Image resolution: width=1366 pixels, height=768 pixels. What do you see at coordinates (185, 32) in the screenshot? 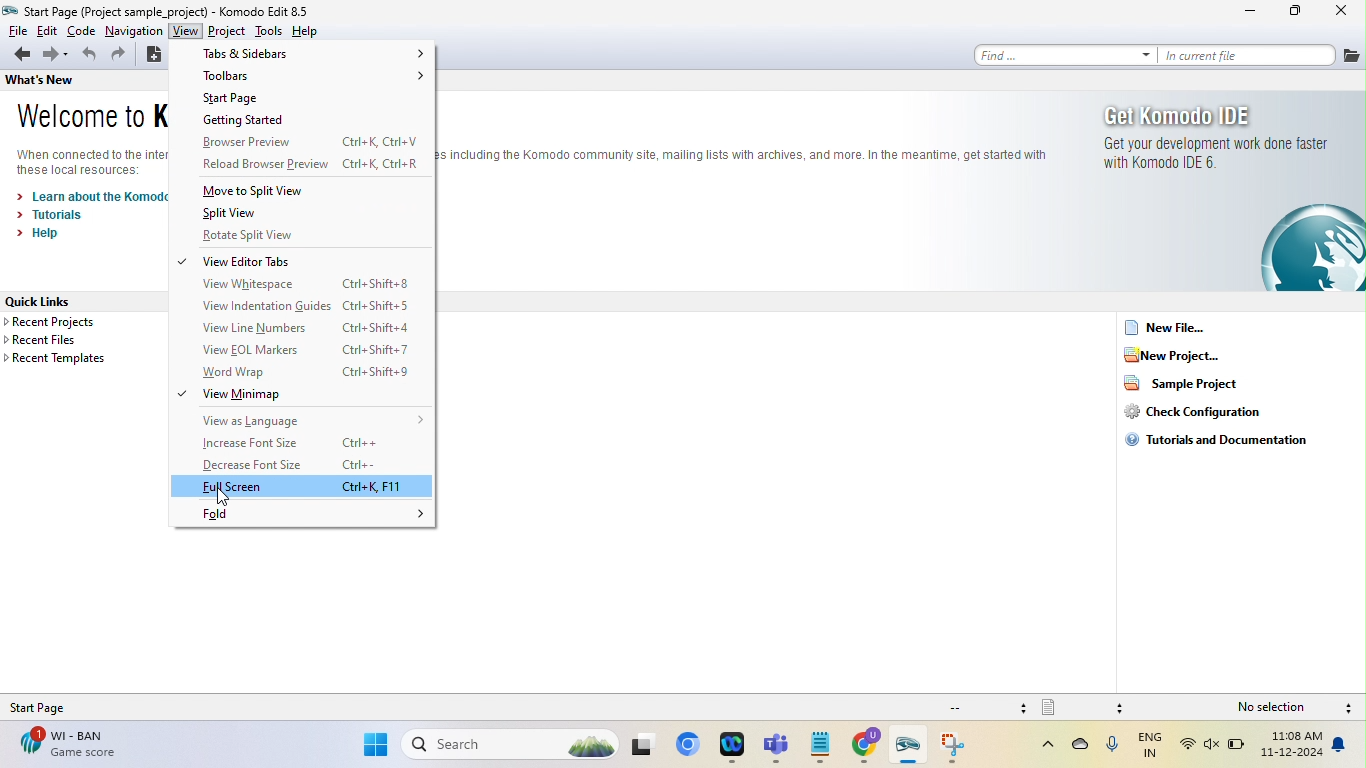
I see `view` at bounding box center [185, 32].